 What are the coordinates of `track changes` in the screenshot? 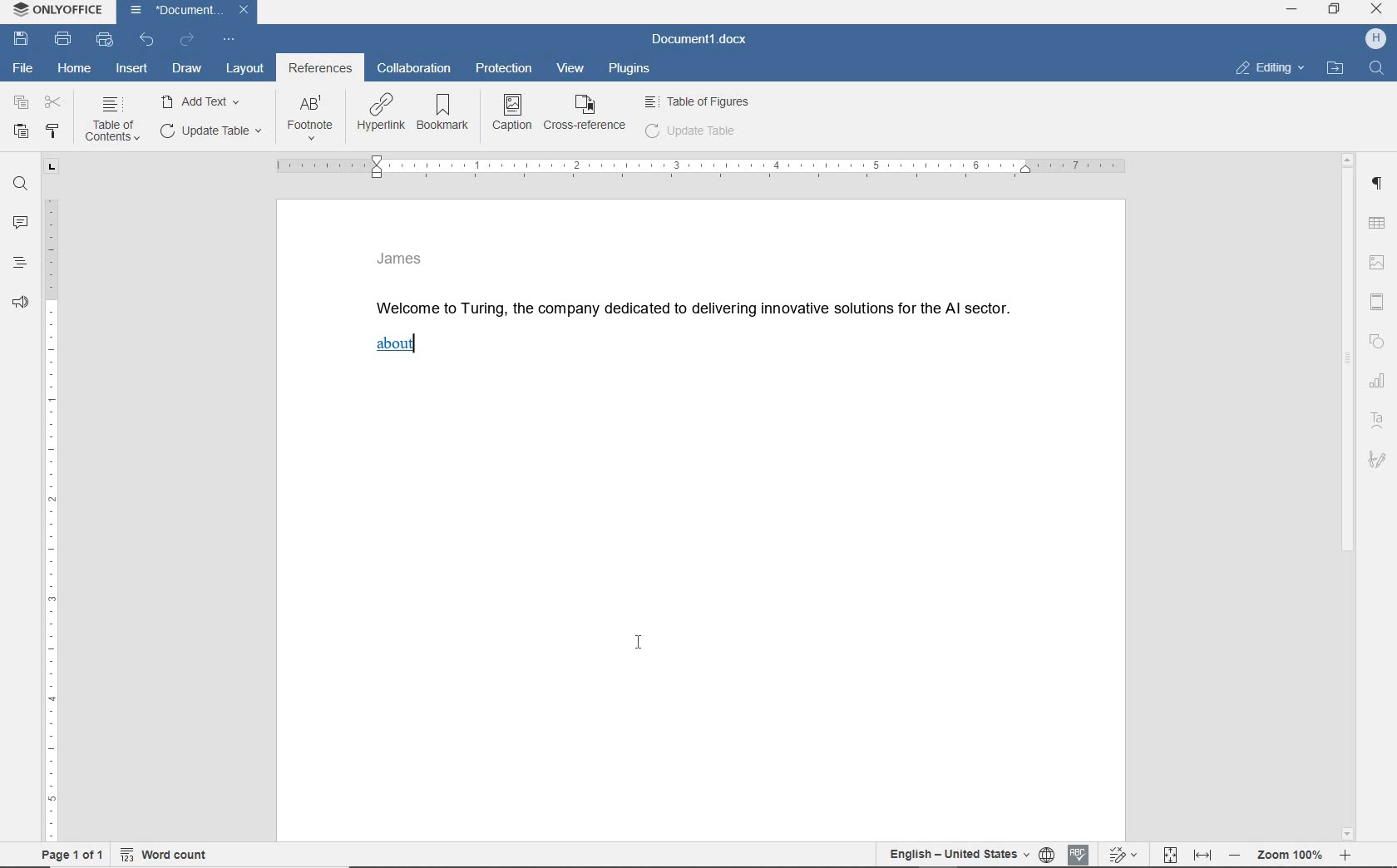 It's located at (1124, 855).